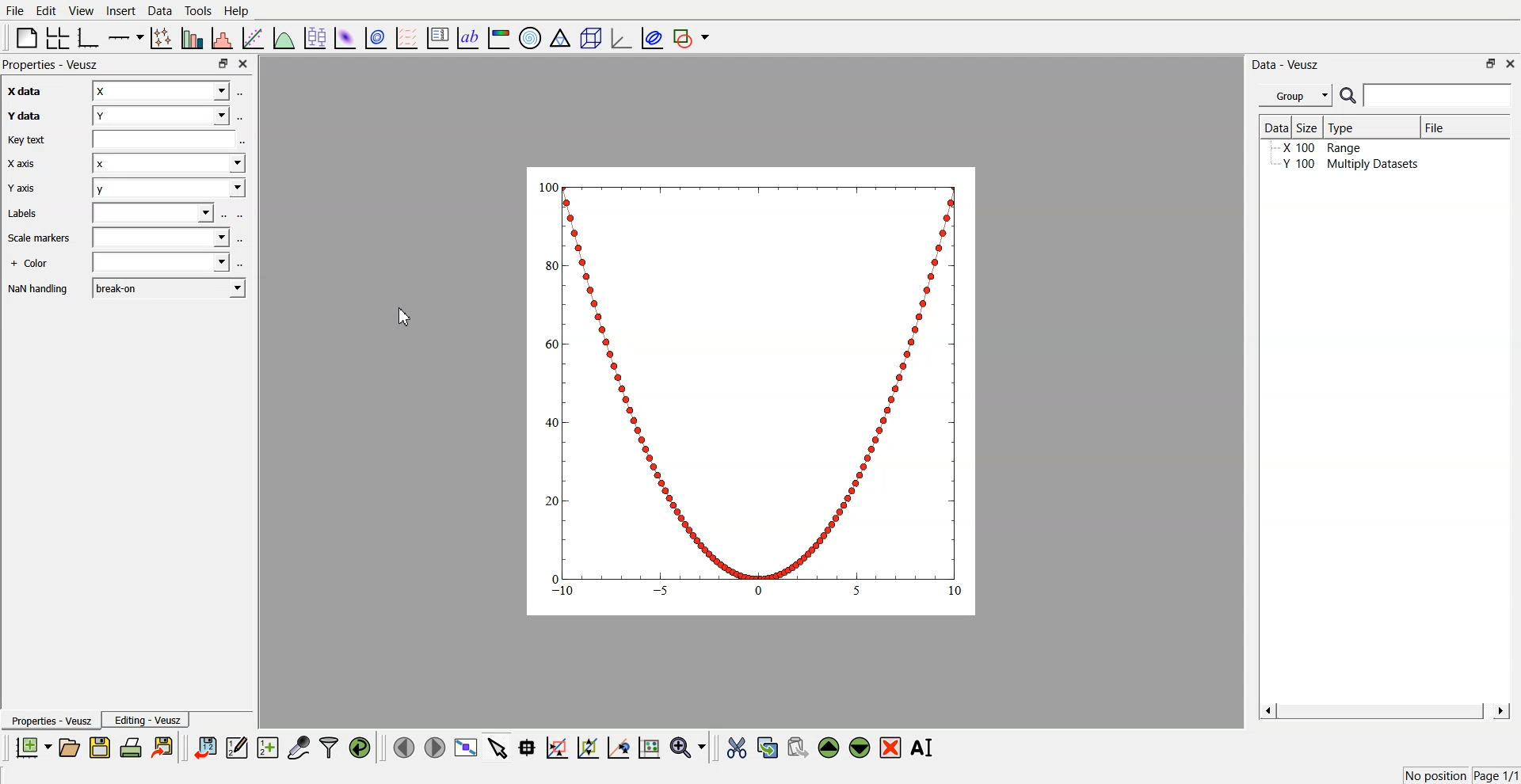 This screenshot has height=784, width=1521. What do you see at coordinates (344, 37) in the screenshot?
I see `plot a 2d datasets as image` at bounding box center [344, 37].